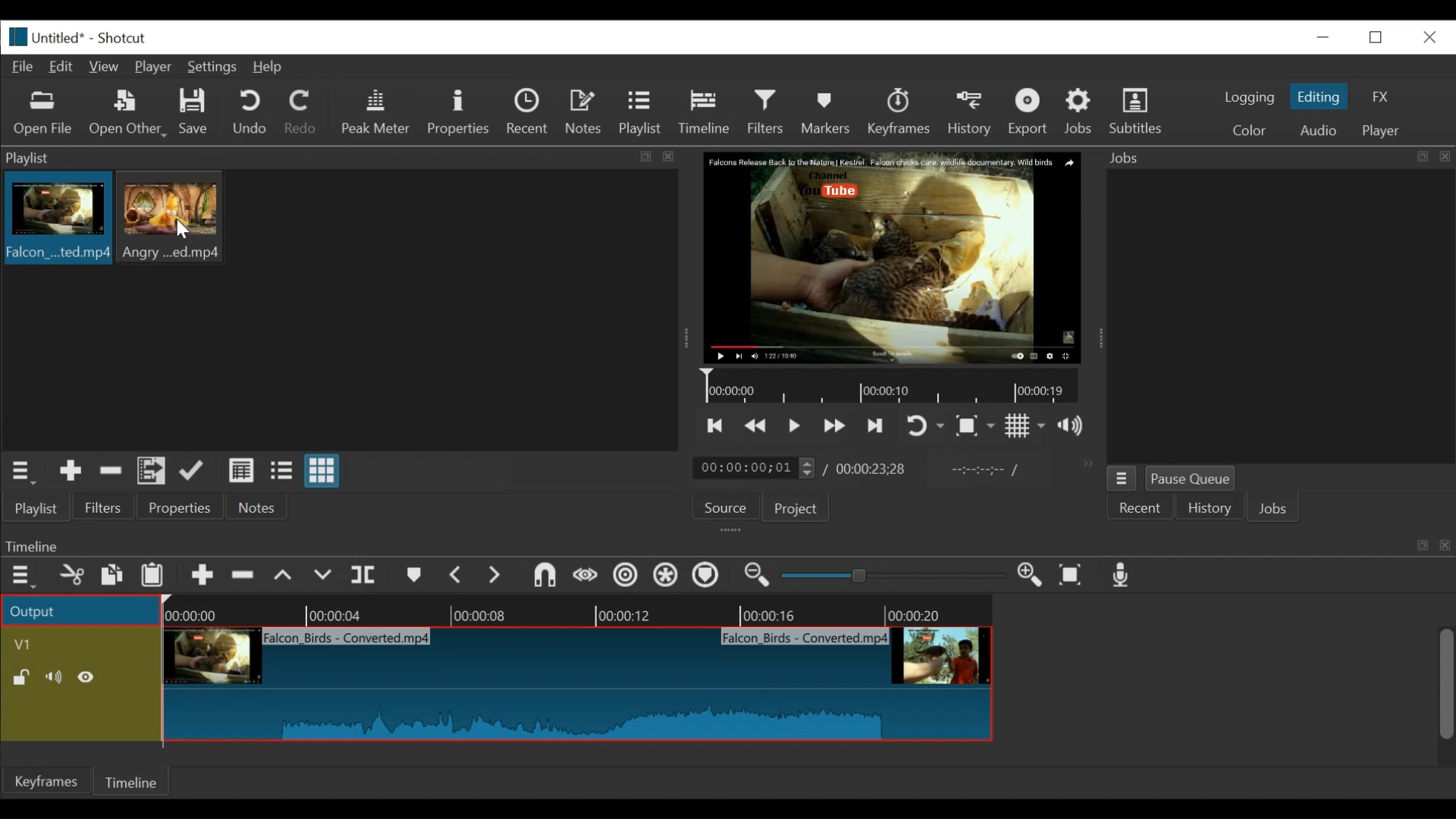  What do you see at coordinates (174, 216) in the screenshot?
I see `clip` at bounding box center [174, 216].